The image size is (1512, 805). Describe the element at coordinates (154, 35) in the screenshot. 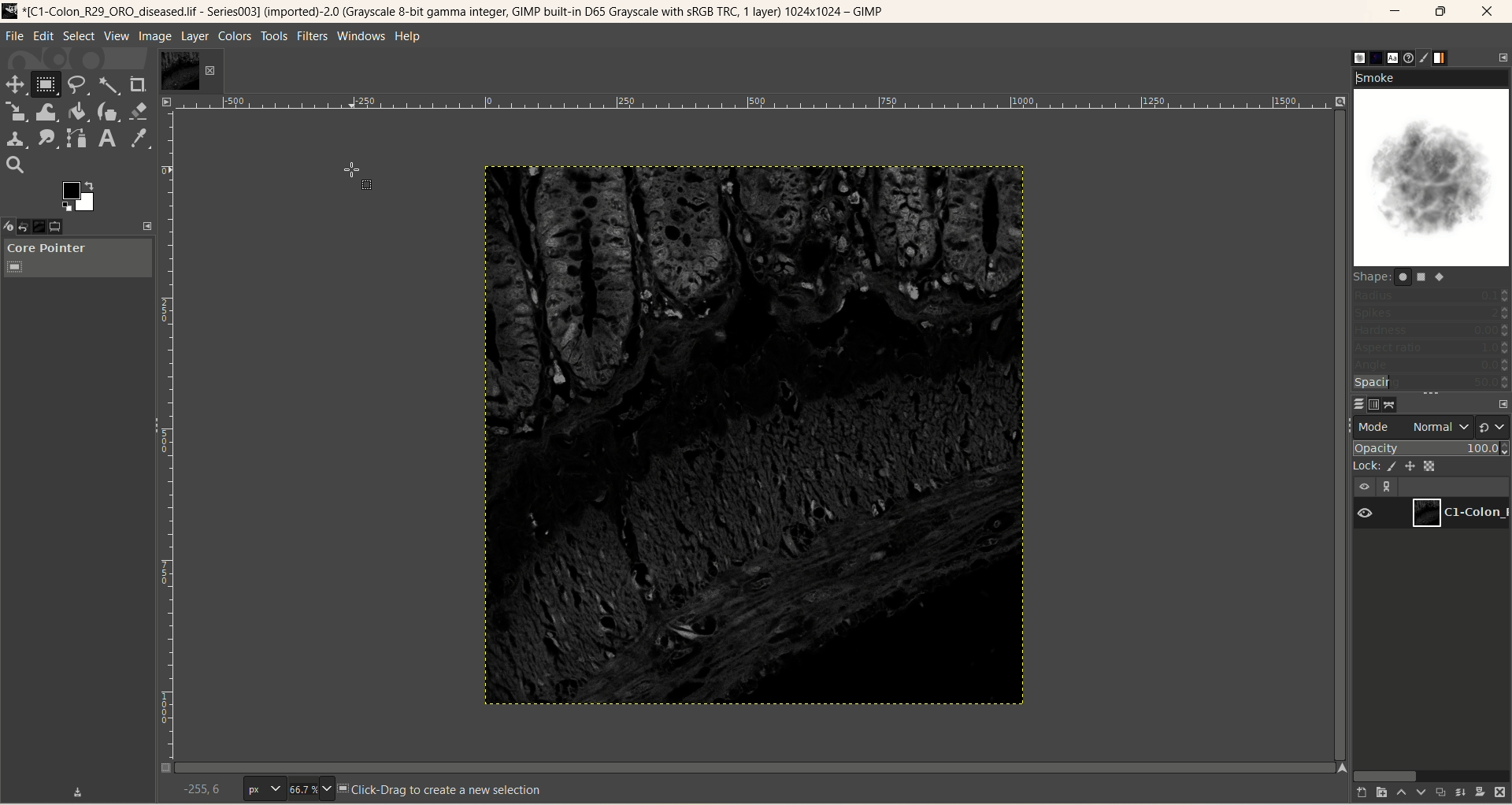

I see `image` at that location.